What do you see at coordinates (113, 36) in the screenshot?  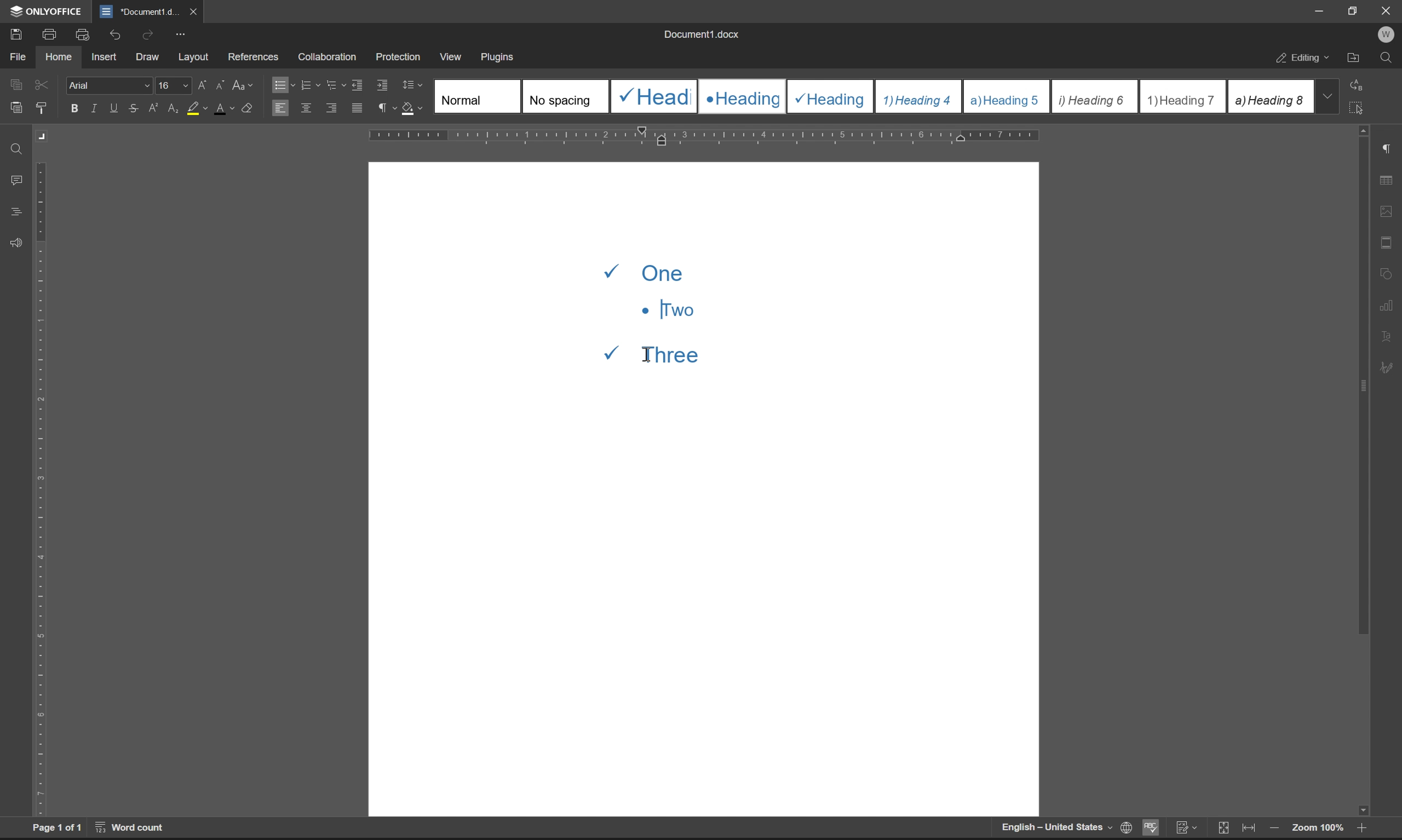 I see `undo` at bounding box center [113, 36].